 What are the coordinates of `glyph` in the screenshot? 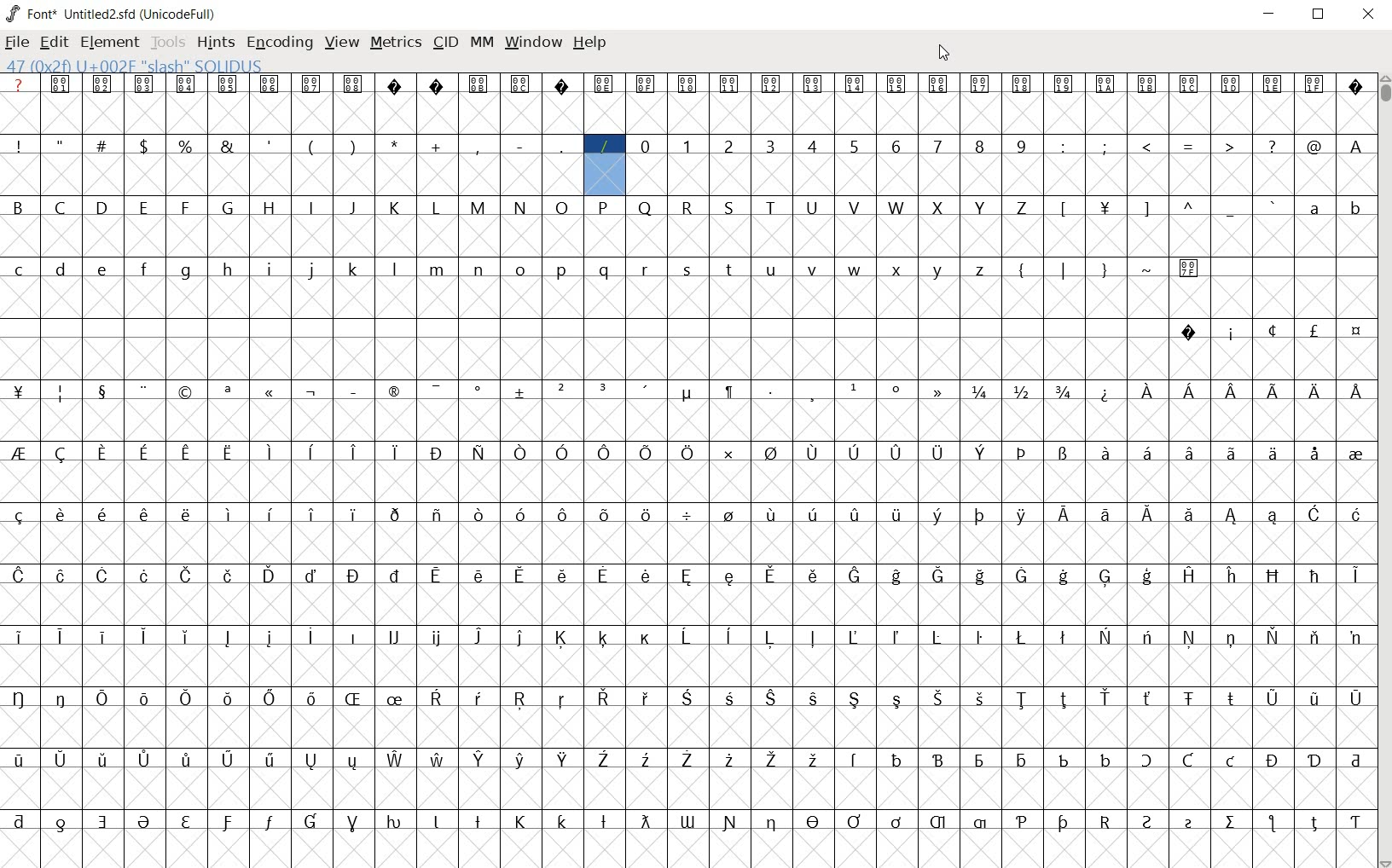 It's located at (814, 759).